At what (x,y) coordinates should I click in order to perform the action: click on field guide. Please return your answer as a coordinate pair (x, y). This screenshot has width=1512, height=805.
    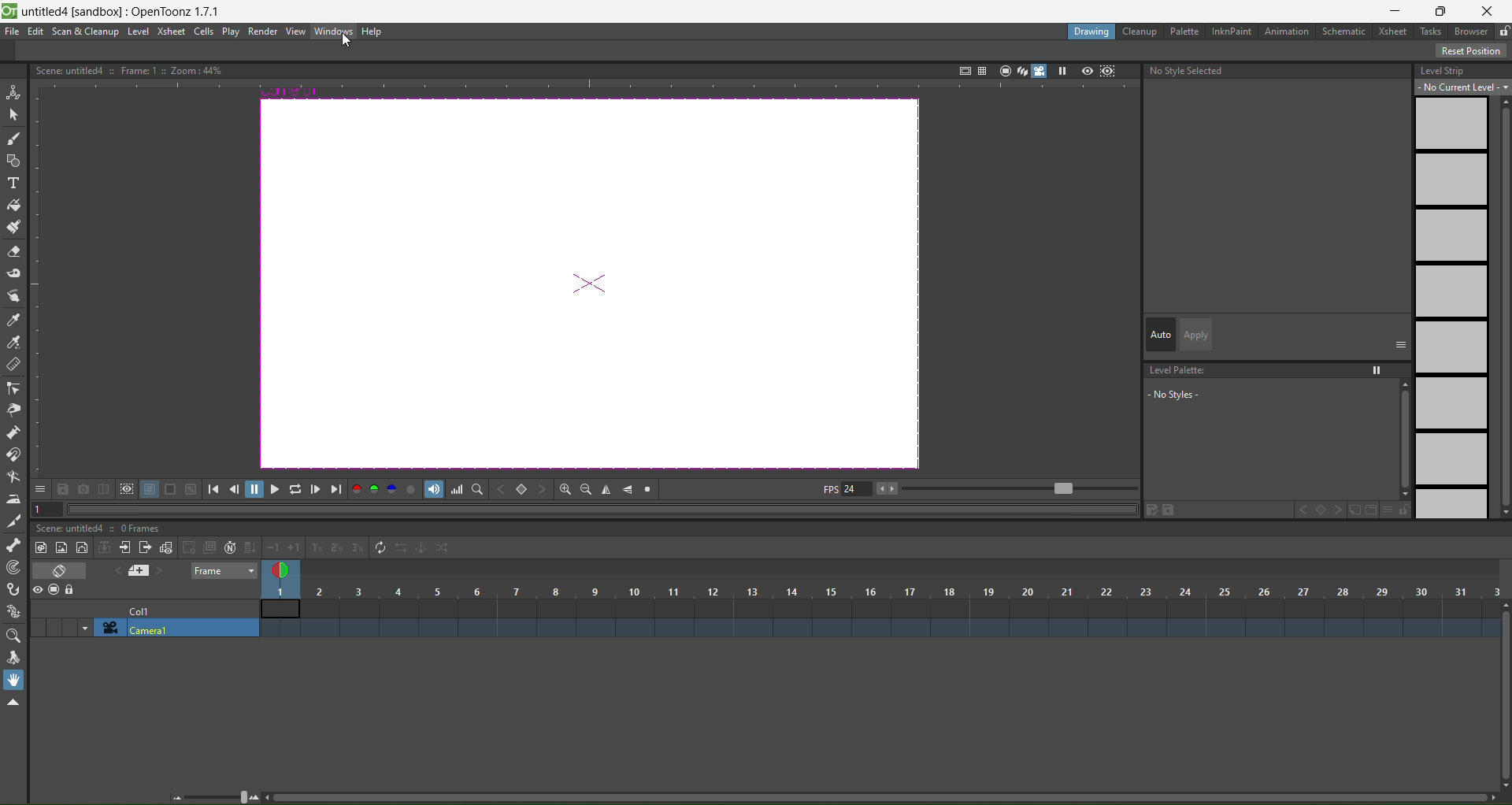
    Looking at the image, I should click on (981, 69).